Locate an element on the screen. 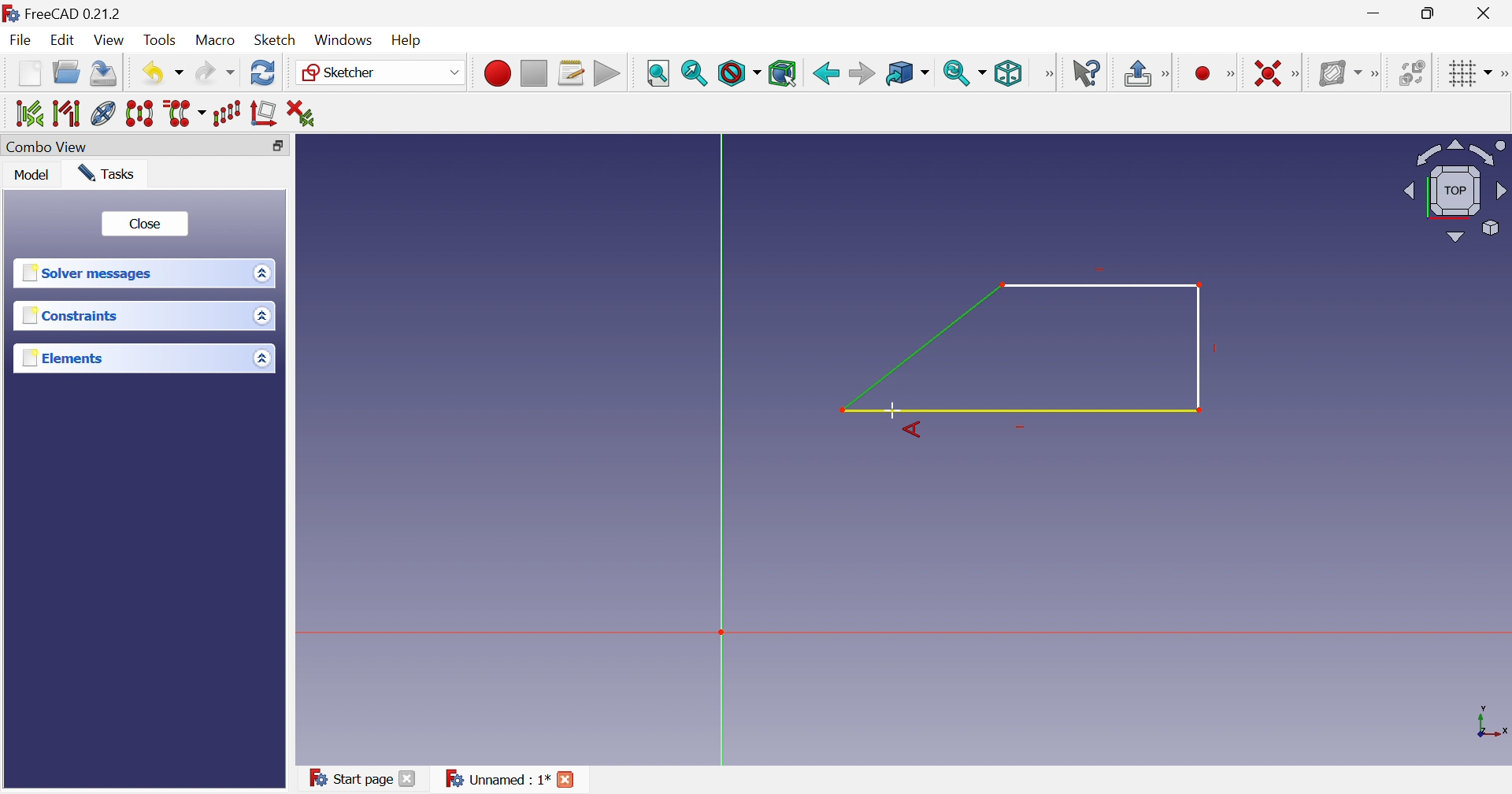 The width and height of the screenshot is (1512, 794). Drop Down is located at coordinates (261, 358).